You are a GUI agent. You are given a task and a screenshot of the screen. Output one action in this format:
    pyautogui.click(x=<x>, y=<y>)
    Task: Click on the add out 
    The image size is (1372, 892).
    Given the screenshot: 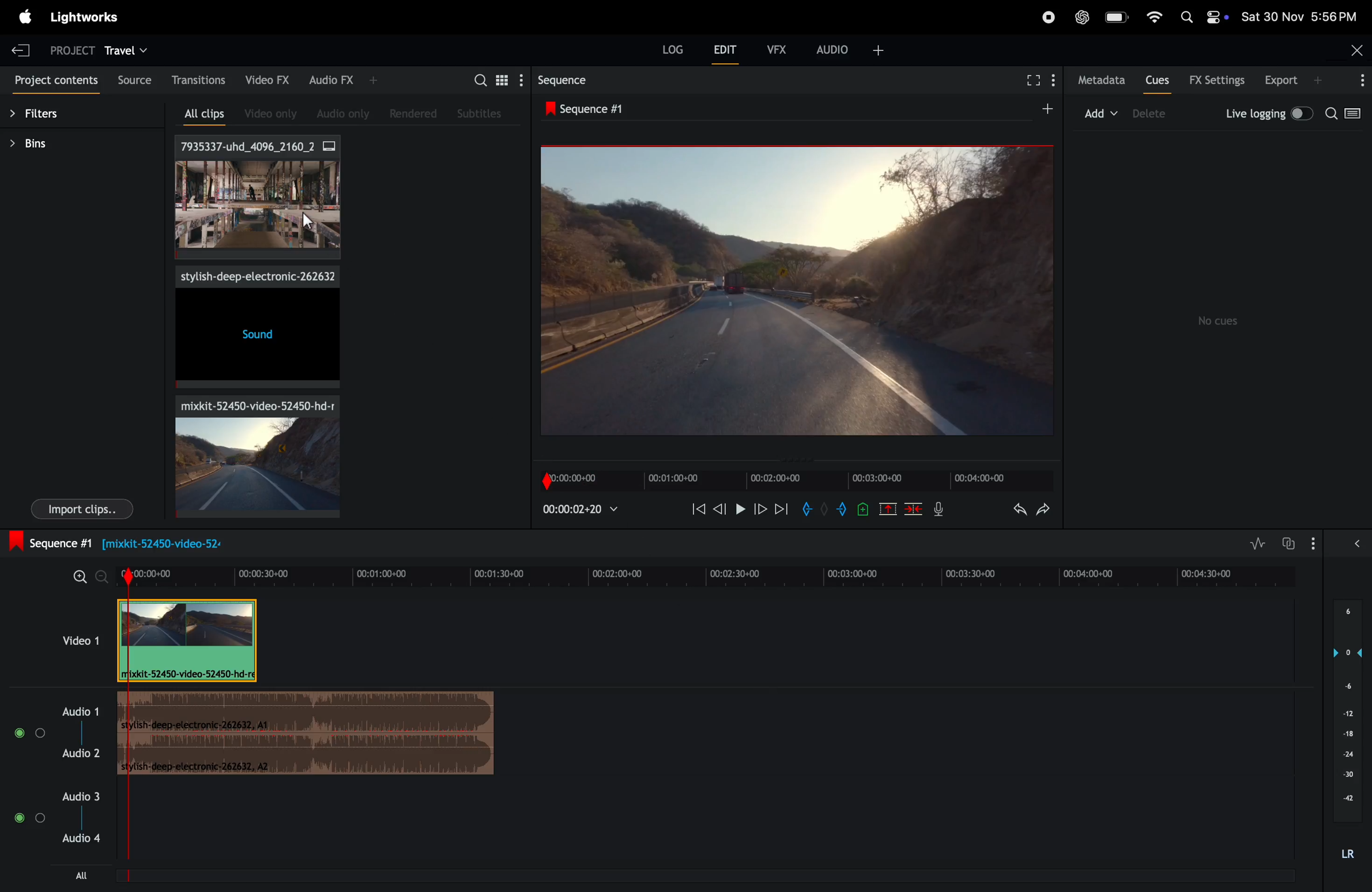 What is the action you would take?
    pyautogui.click(x=839, y=511)
    